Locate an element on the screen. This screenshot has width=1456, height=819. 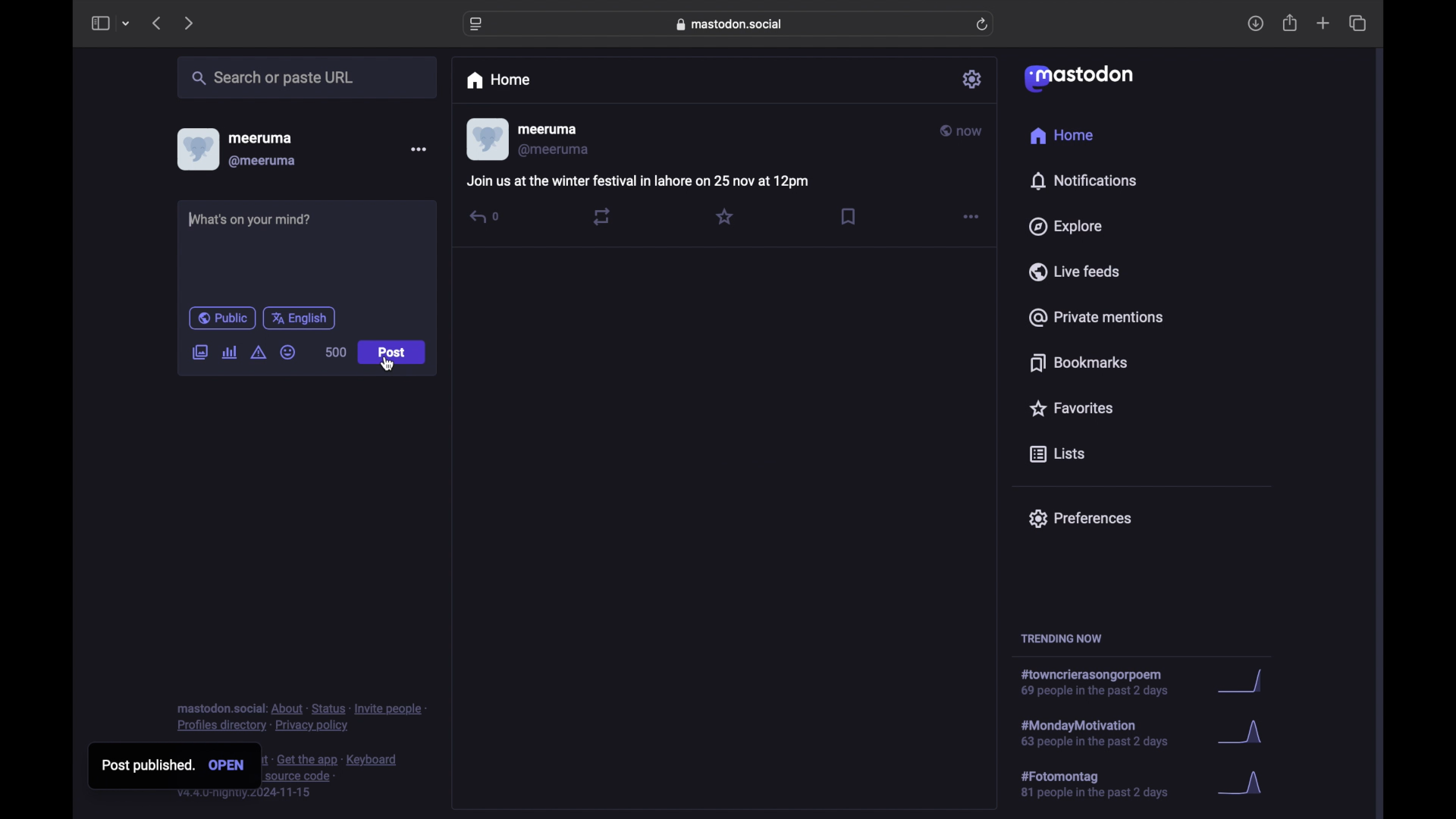
display picture is located at coordinates (196, 149).